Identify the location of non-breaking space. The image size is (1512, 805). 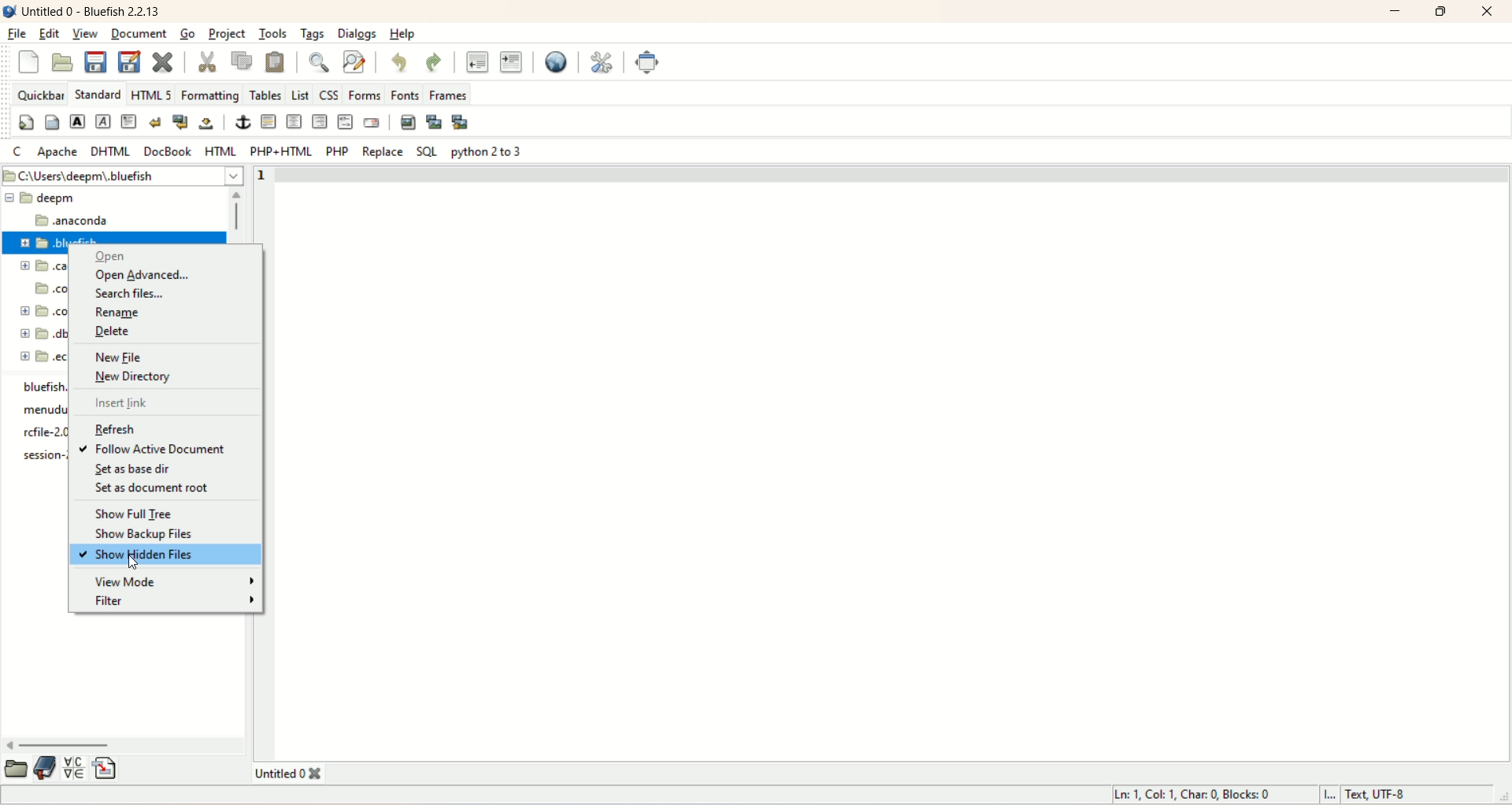
(209, 123).